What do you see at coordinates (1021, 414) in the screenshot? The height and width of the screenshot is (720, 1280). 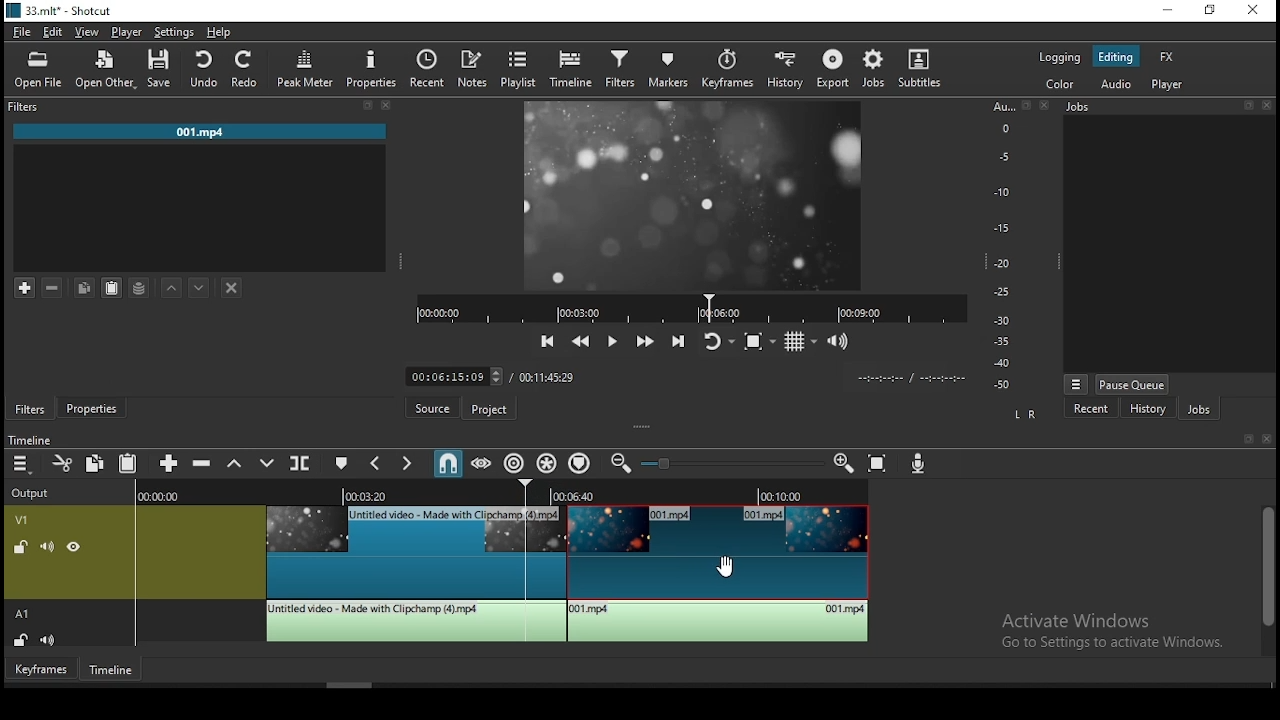 I see `L R` at bounding box center [1021, 414].